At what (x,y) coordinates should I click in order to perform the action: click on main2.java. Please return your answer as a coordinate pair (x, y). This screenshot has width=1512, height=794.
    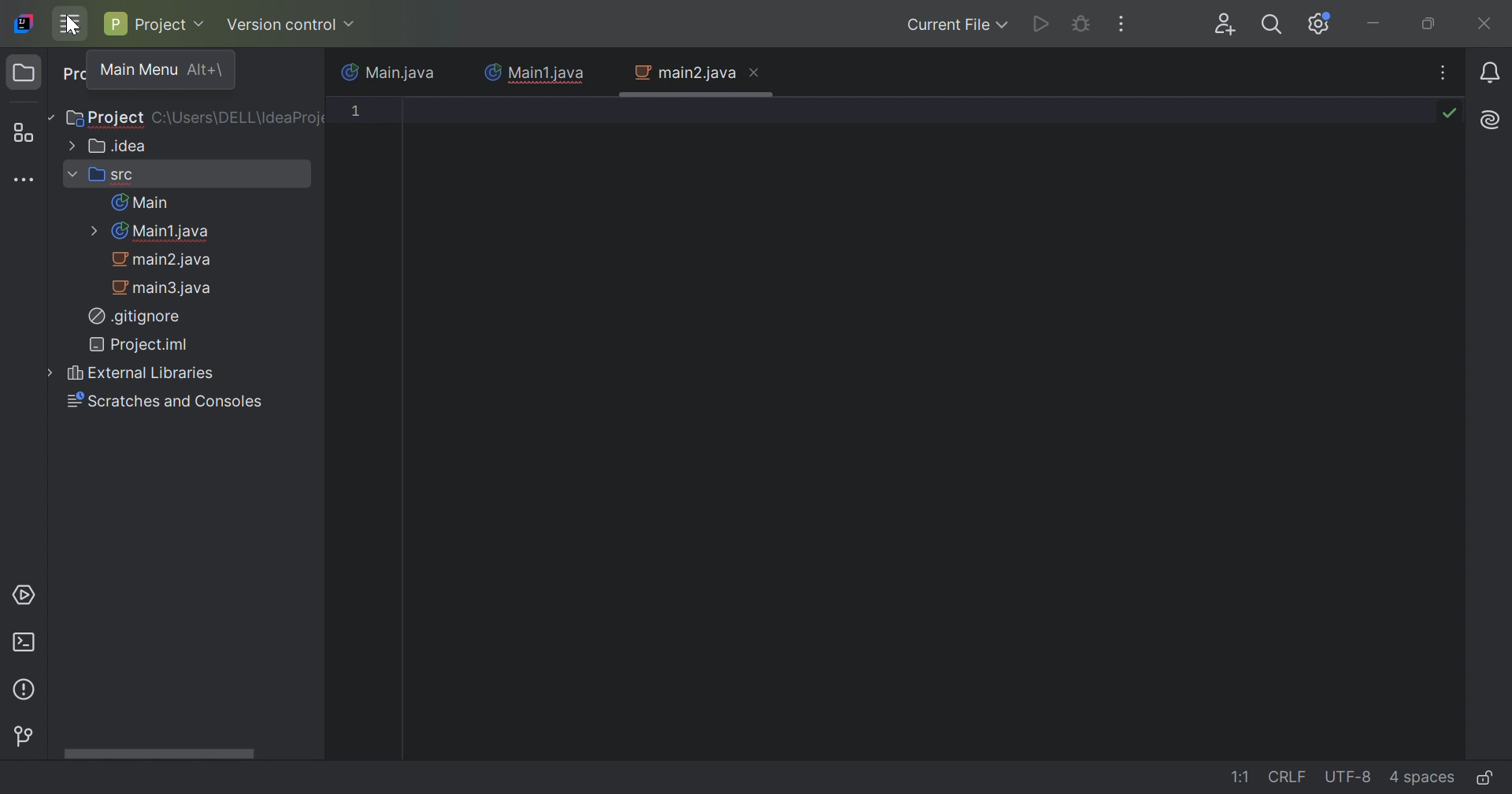
    Looking at the image, I should click on (680, 72).